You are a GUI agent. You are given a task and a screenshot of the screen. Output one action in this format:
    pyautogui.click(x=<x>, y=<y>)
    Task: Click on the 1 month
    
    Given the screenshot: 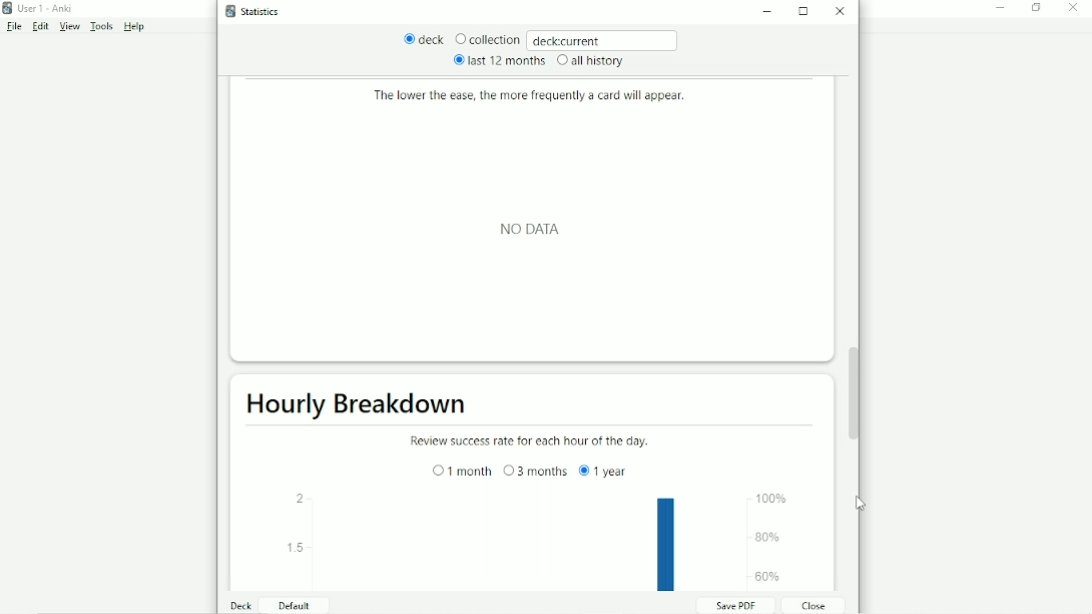 What is the action you would take?
    pyautogui.click(x=462, y=472)
    